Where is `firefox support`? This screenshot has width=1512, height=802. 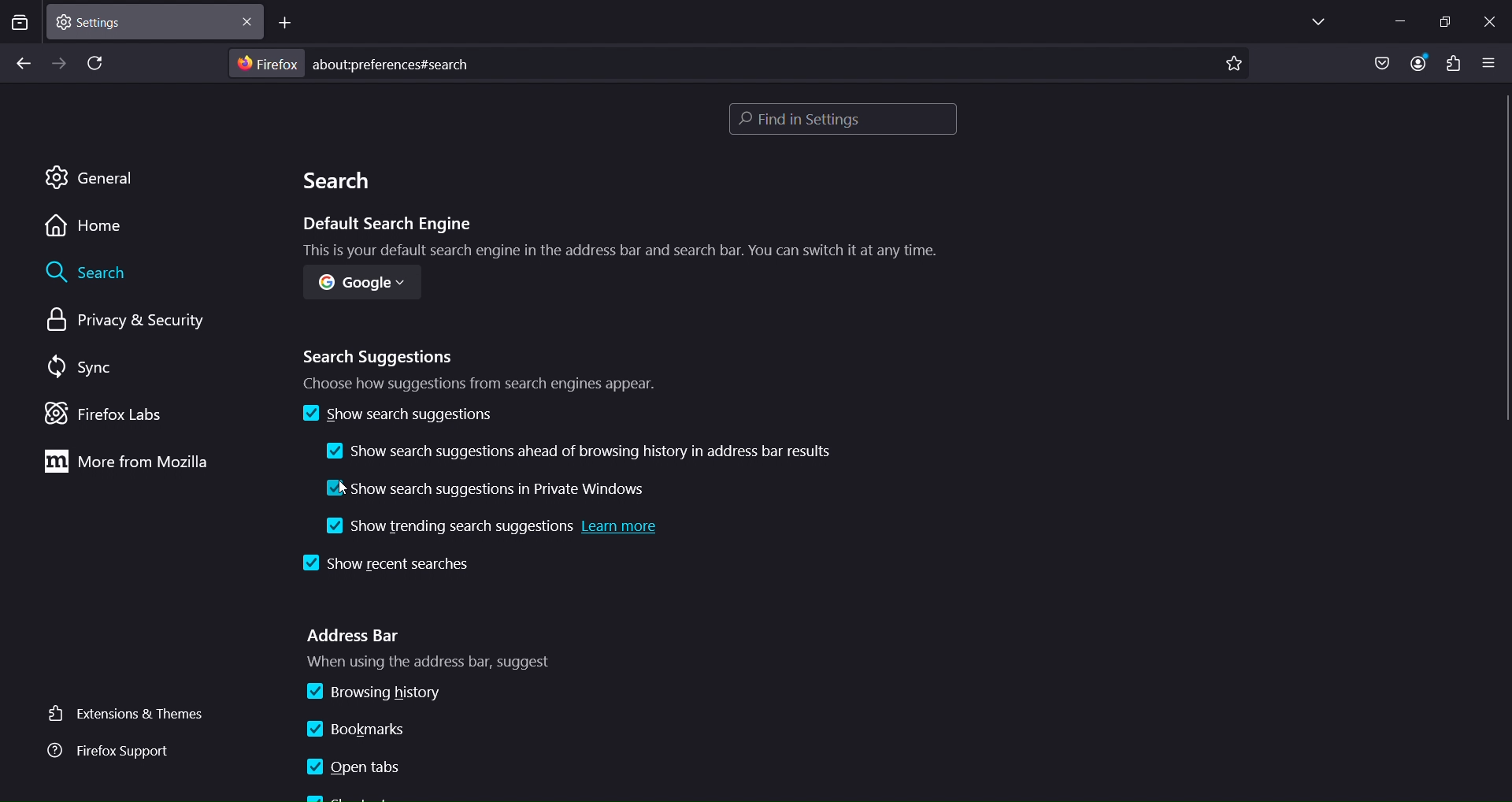
firefox support is located at coordinates (117, 751).